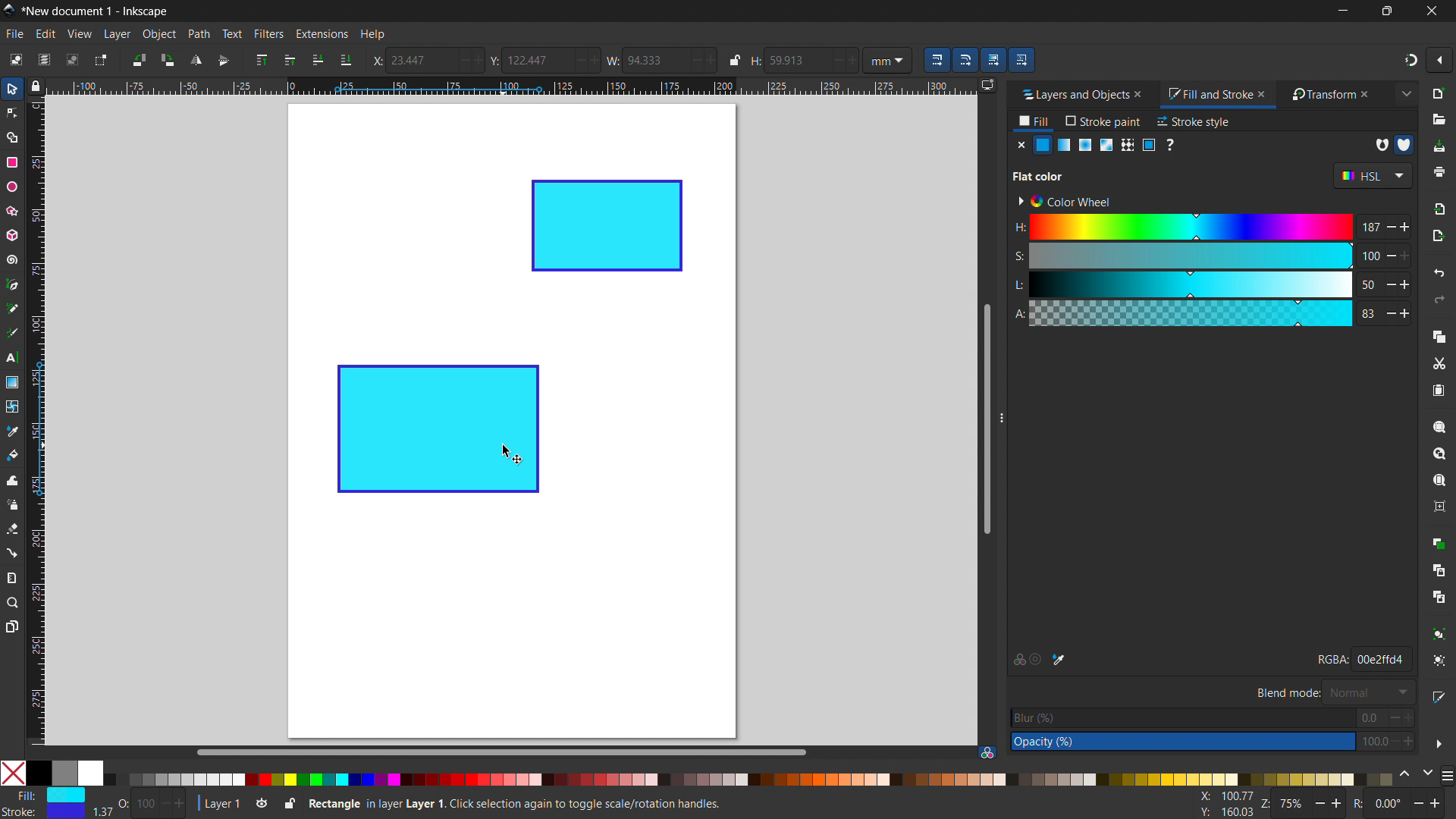 This screenshot has width=1456, height=819. Describe the element at coordinates (1018, 661) in the screenshot. I see `color managed mode` at that location.